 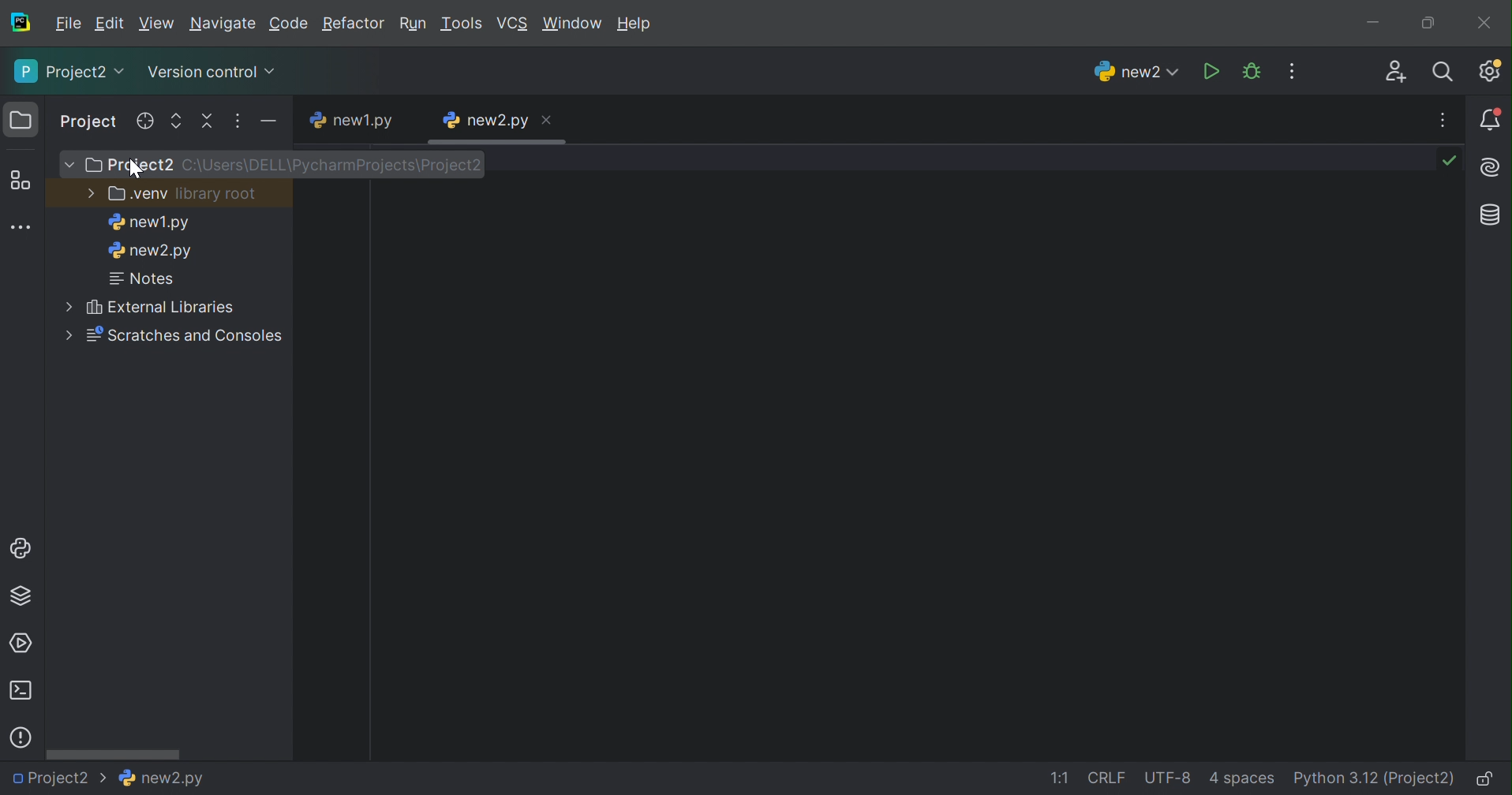 I want to click on Select opened file, so click(x=147, y=120).